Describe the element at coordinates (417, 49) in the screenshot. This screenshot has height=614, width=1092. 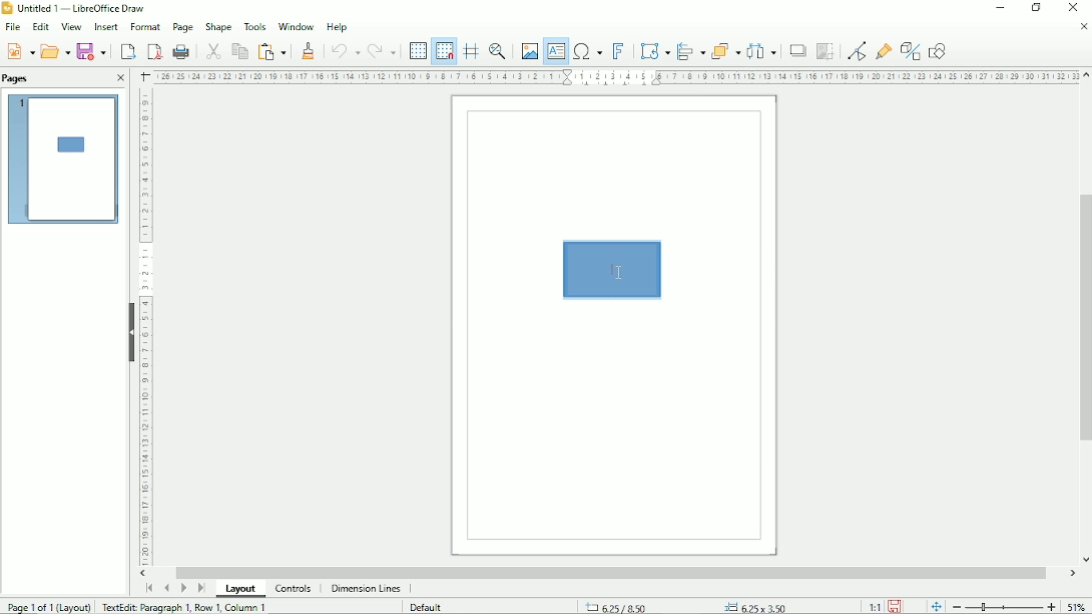
I see `Display grid` at that location.